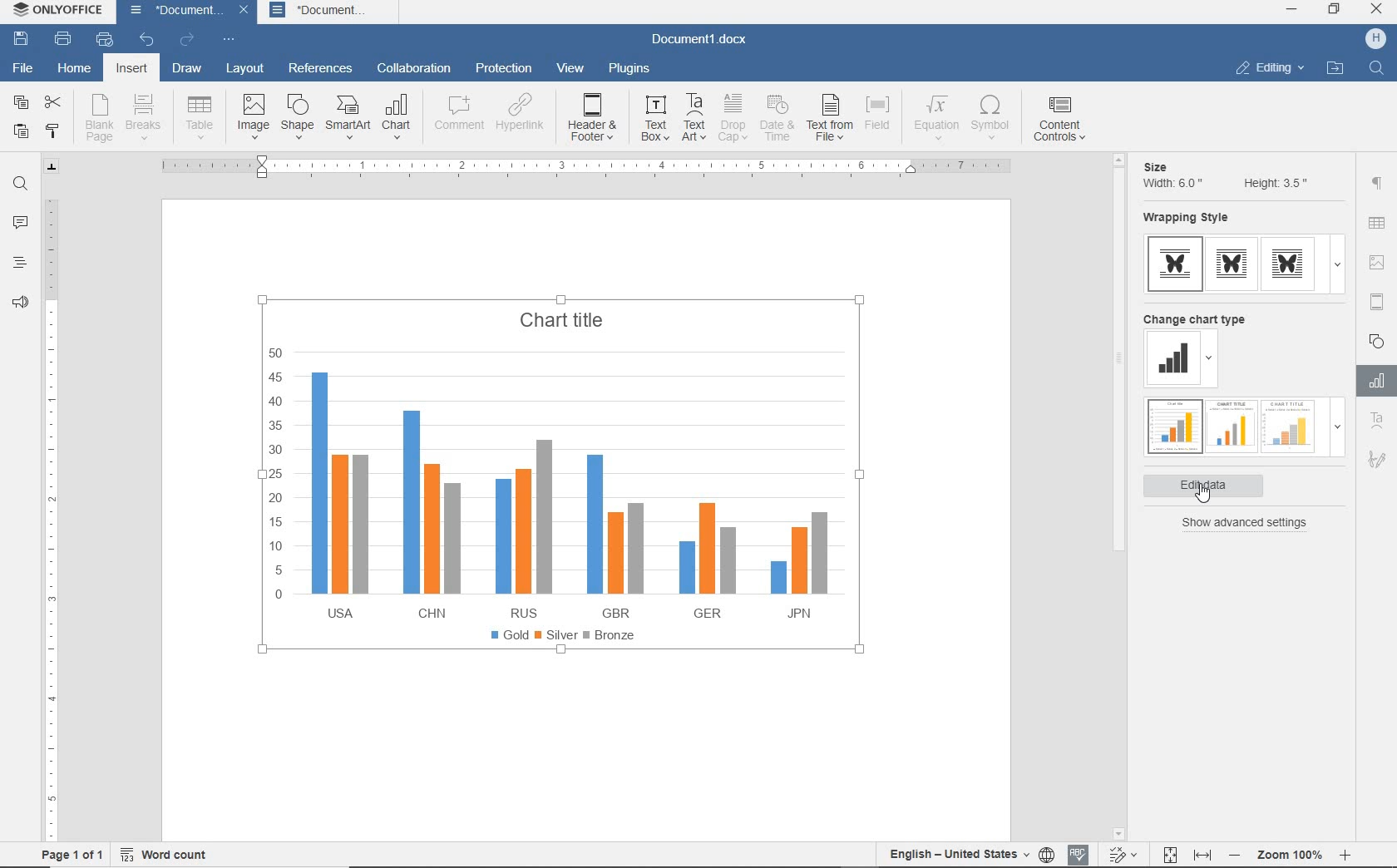 The image size is (1397, 868). I want to click on tab stop, so click(52, 166).